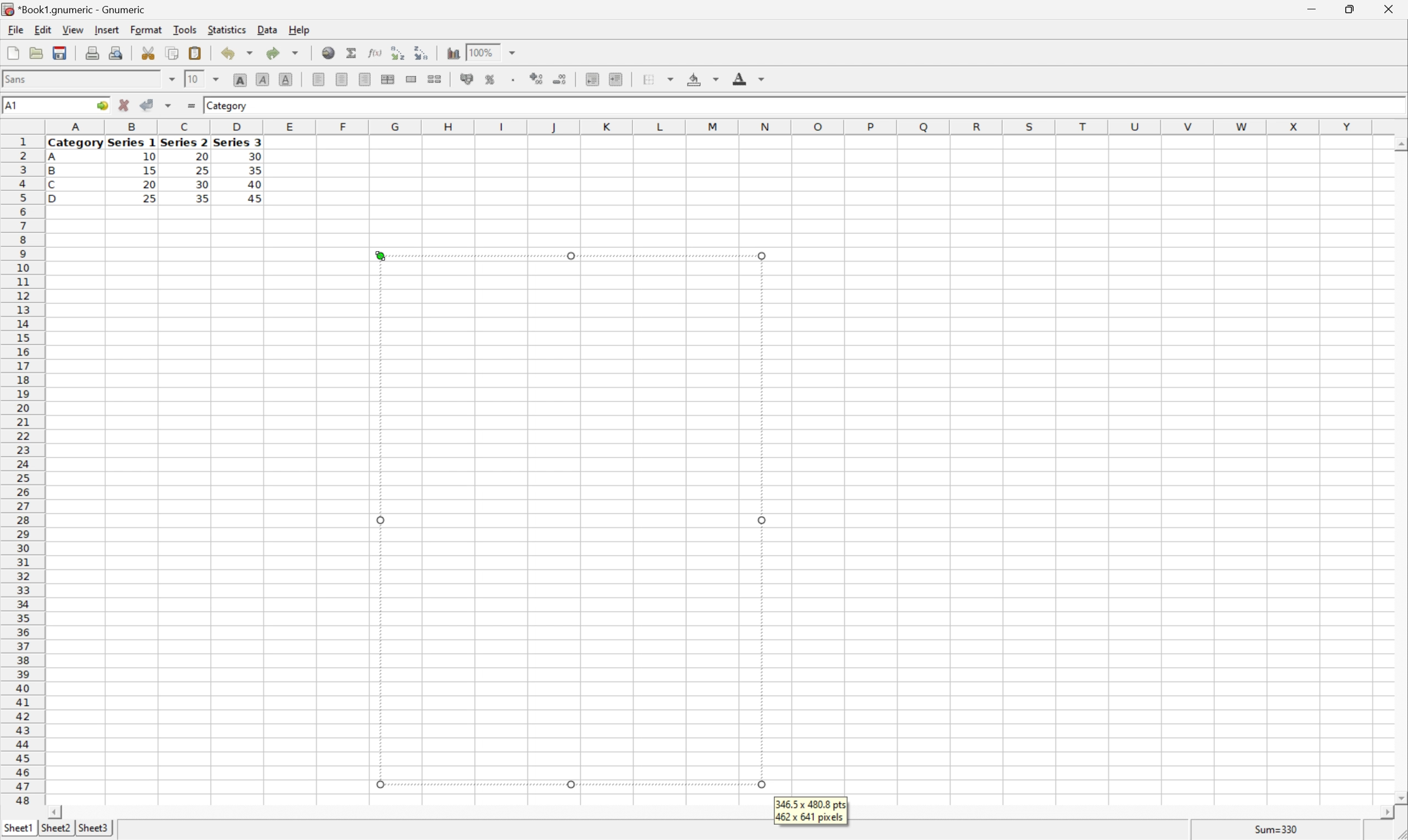 This screenshot has width=1408, height=840. What do you see at coordinates (1344, 9) in the screenshot?
I see `Restore Down` at bounding box center [1344, 9].